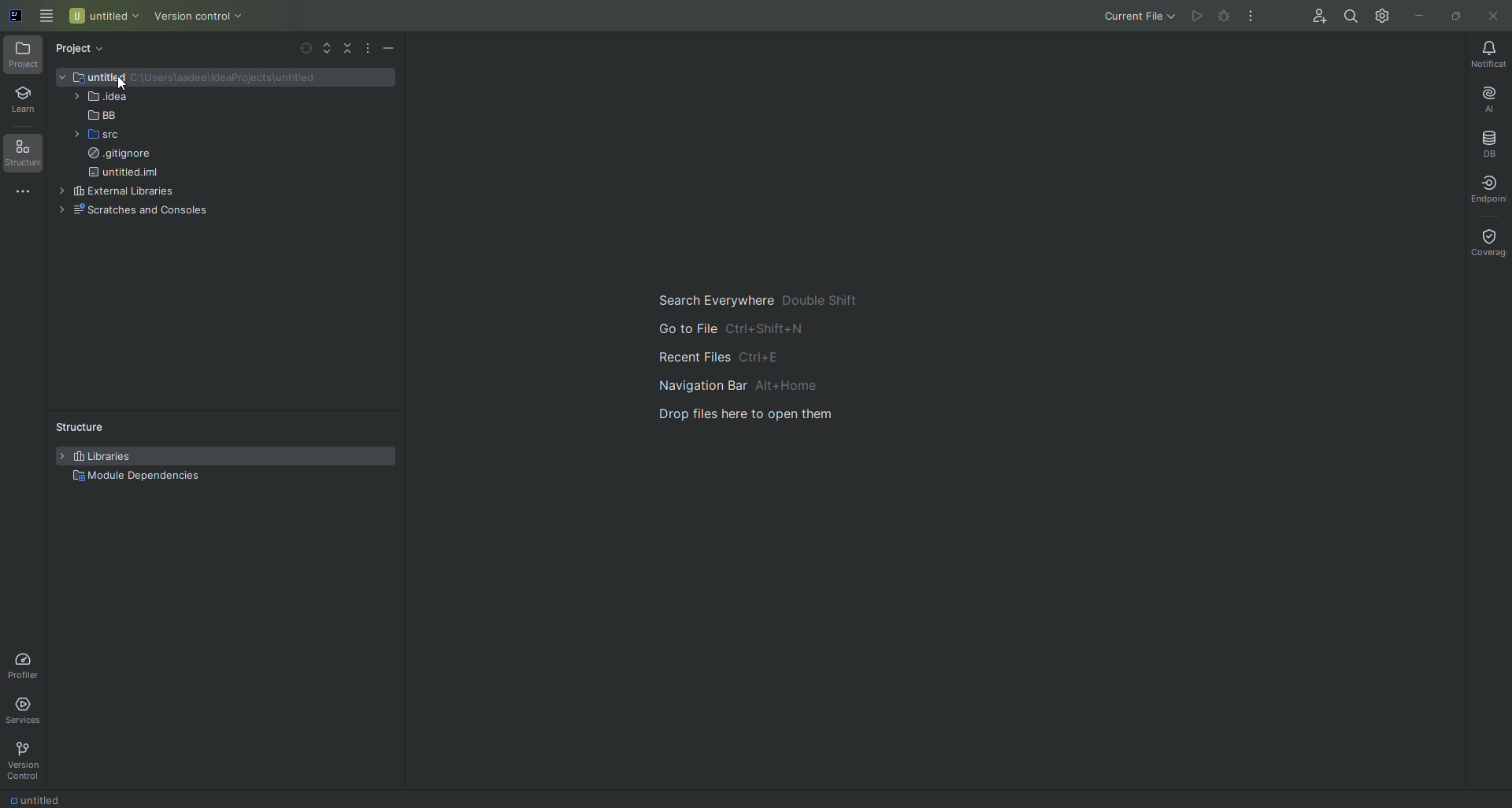 The height and width of the screenshot is (808, 1512). I want to click on Folder path, so click(235, 80).